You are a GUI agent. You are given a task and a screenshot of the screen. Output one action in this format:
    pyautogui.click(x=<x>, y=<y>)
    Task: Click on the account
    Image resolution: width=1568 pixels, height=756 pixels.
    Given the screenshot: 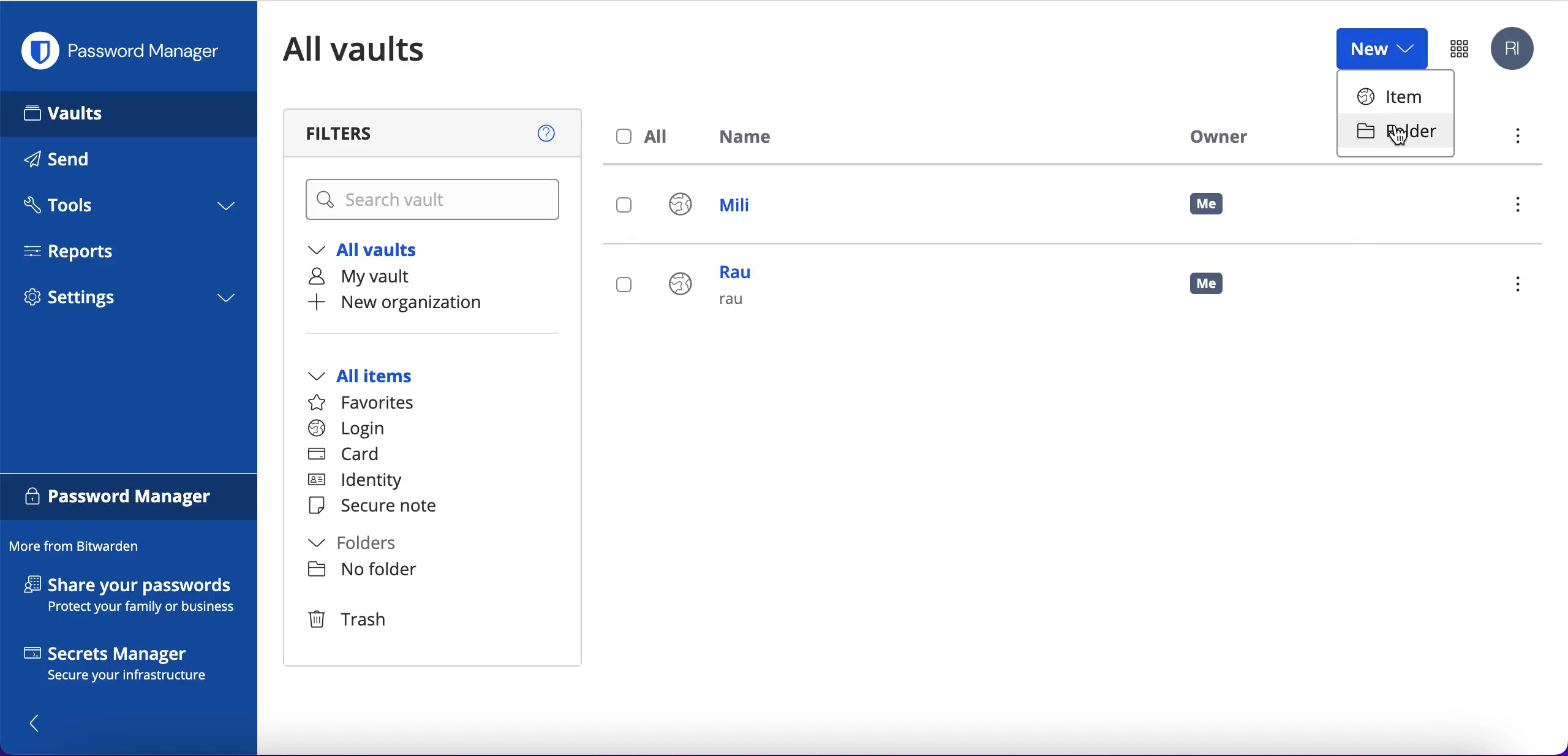 What is the action you would take?
    pyautogui.click(x=1515, y=50)
    